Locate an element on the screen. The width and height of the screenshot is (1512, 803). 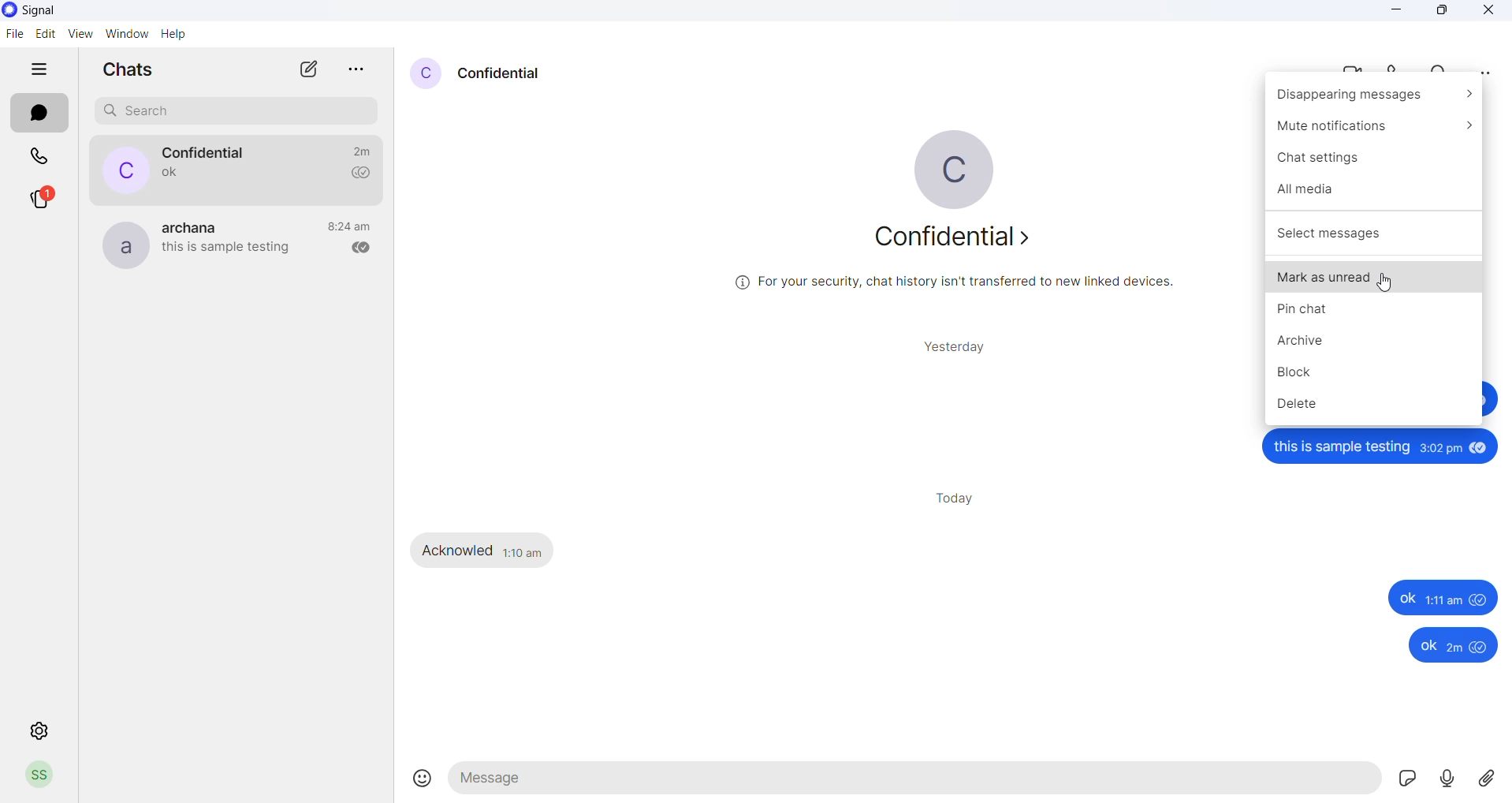
chats is located at coordinates (42, 114).